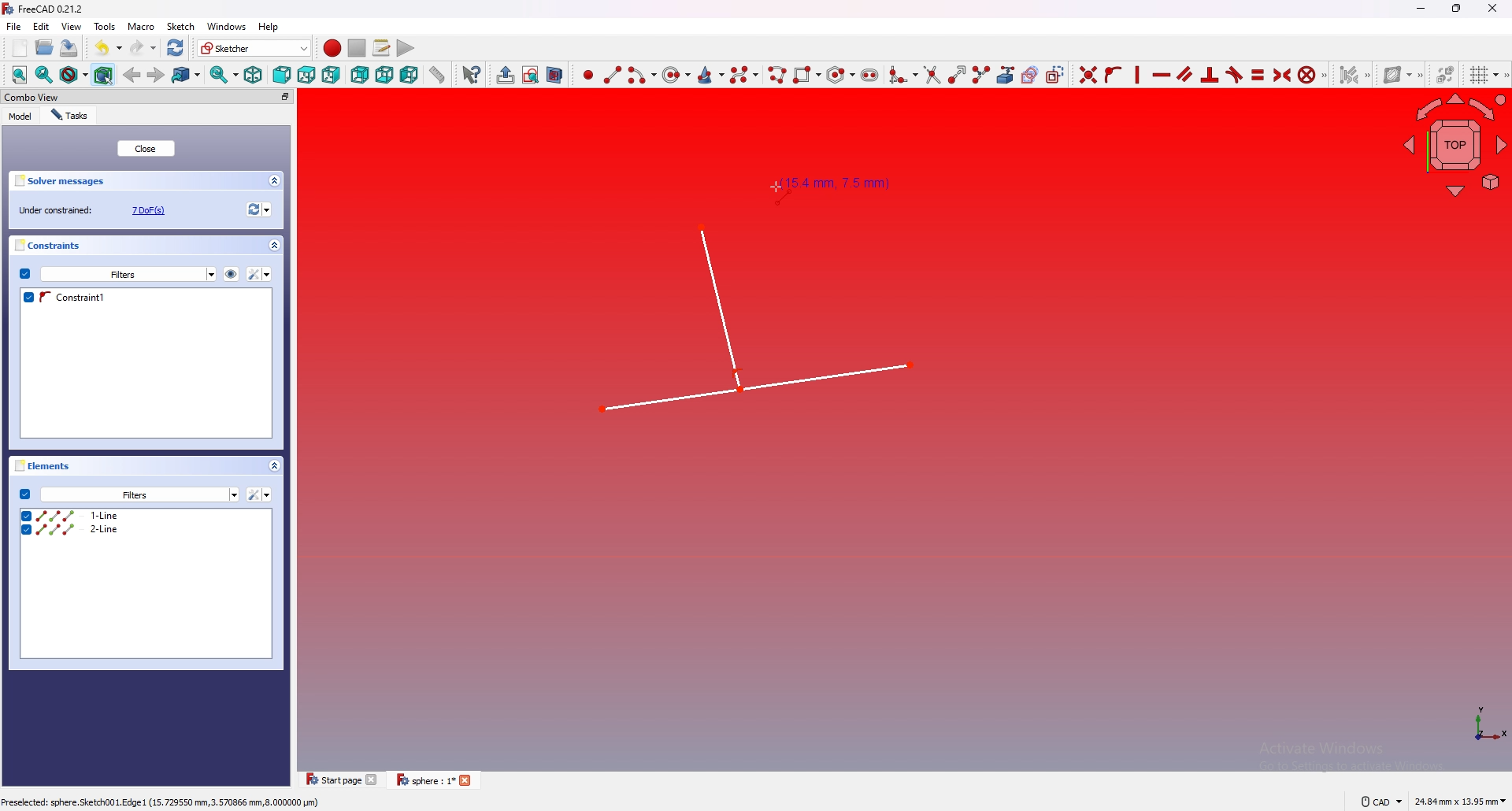 The image size is (1512, 811). I want to click on Minimize, so click(1418, 10).